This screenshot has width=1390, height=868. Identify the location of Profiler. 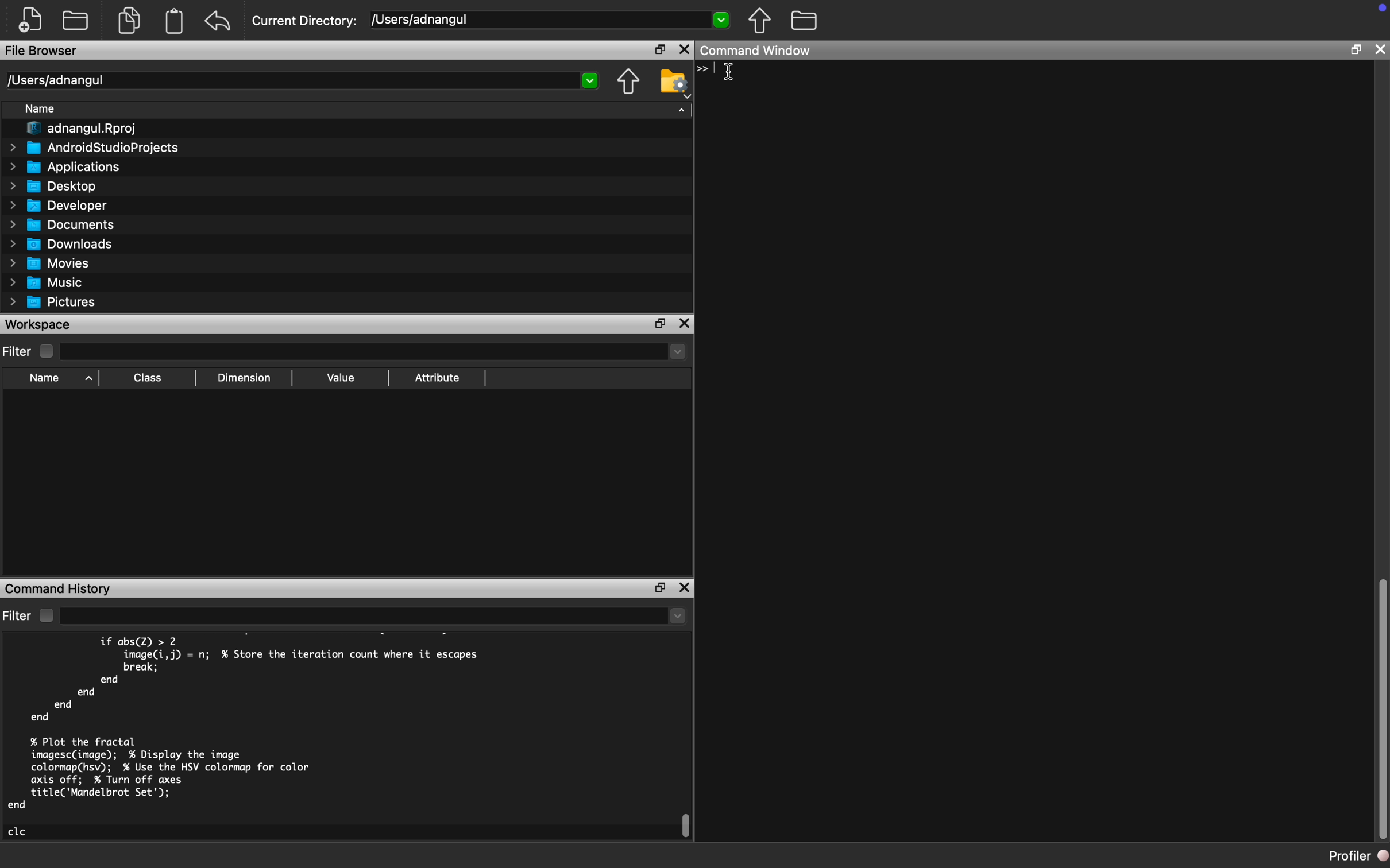
(1357, 858).